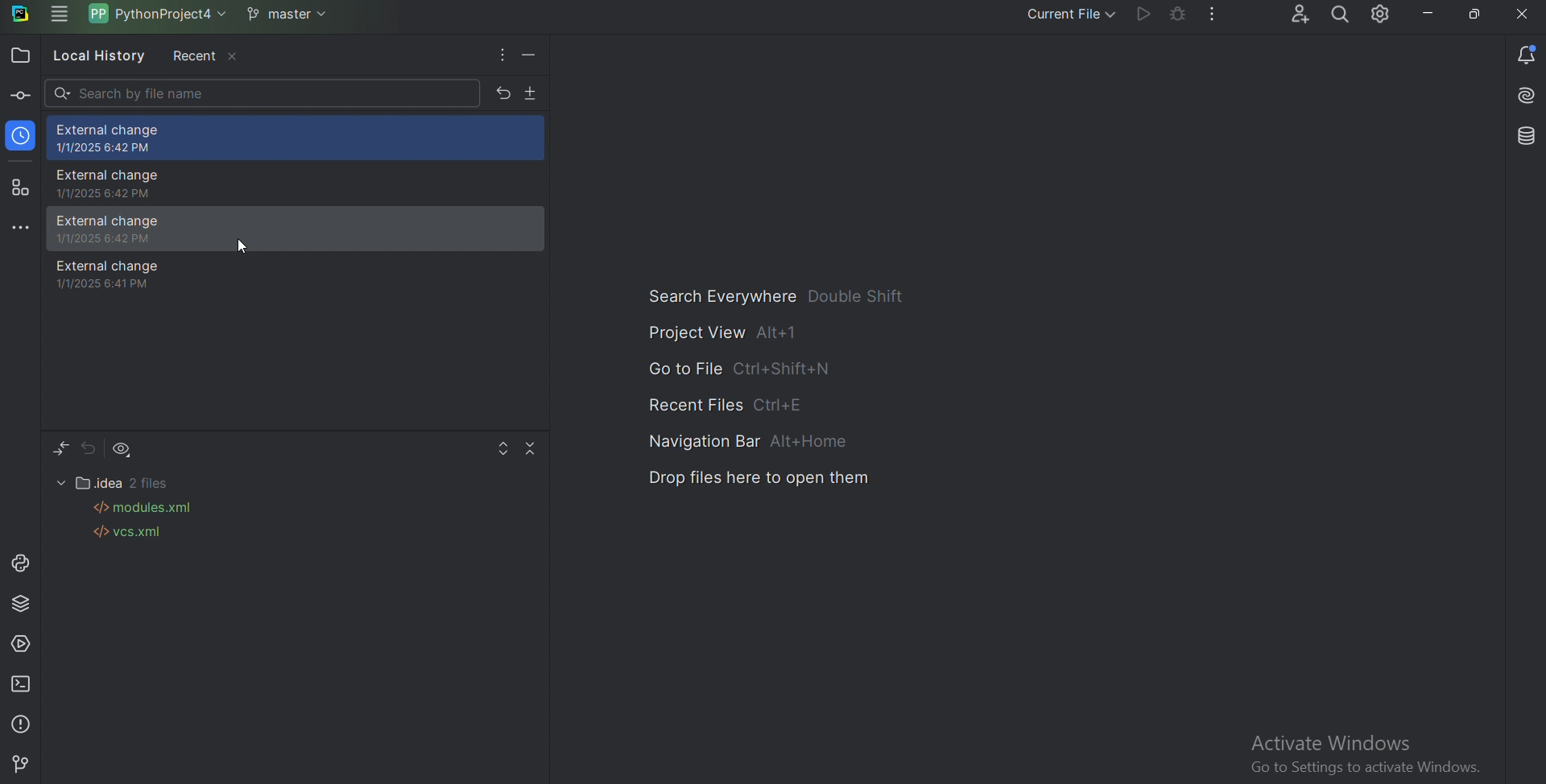 This screenshot has width=1546, height=784. Describe the element at coordinates (23, 603) in the screenshot. I see `Python package` at that location.